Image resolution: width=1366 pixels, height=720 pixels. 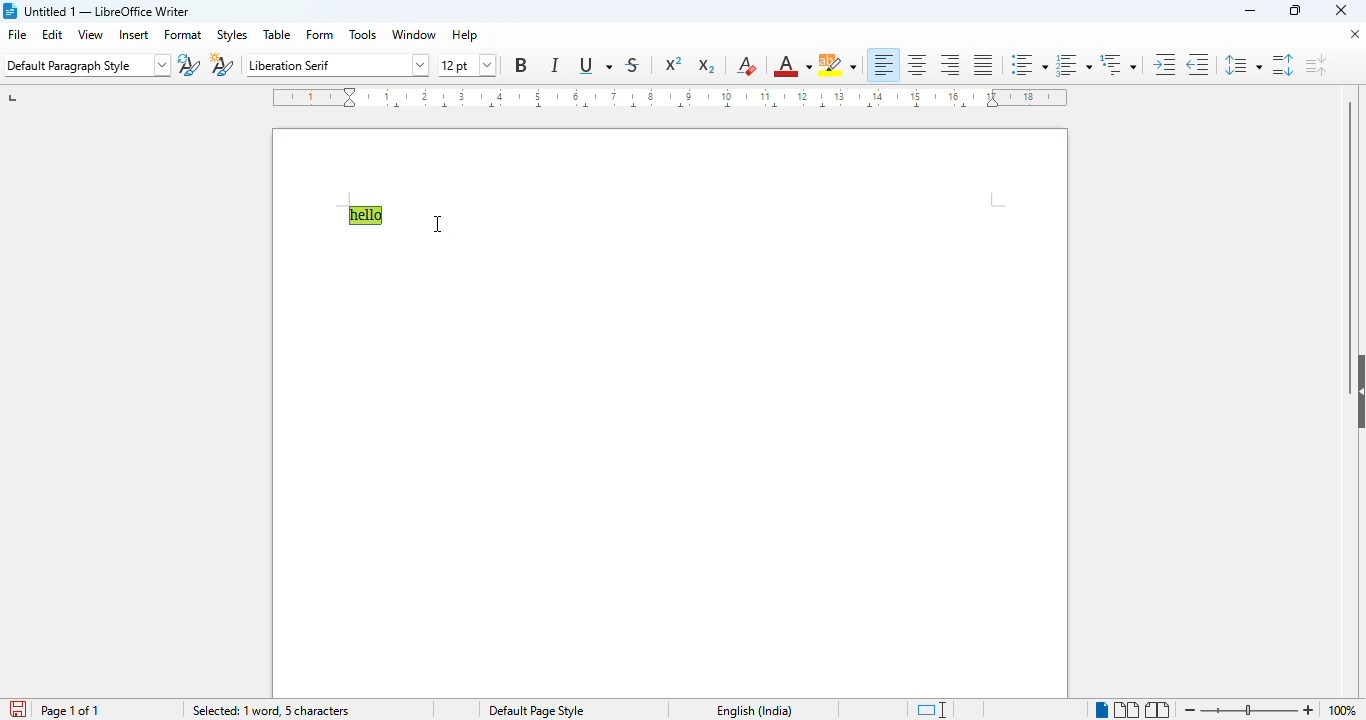 What do you see at coordinates (925, 709) in the screenshot?
I see `standard selection` at bounding box center [925, 709].